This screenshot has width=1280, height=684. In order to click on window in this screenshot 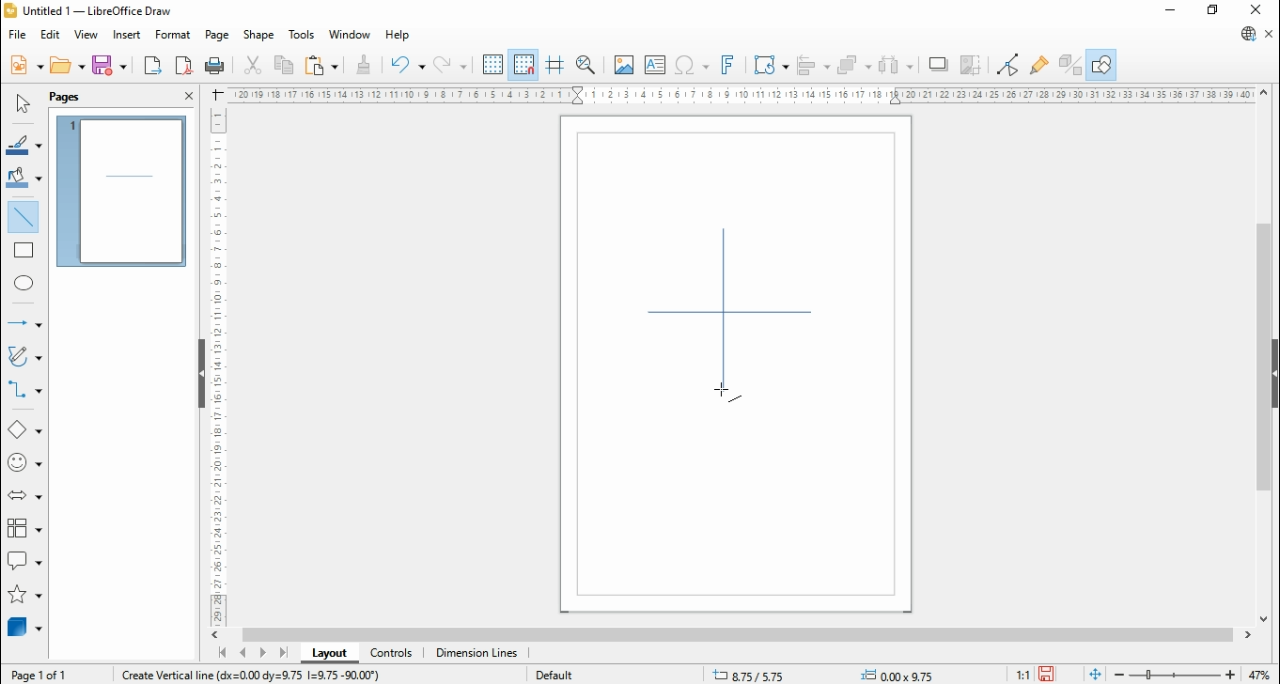, I will do `click(349, 36)`.